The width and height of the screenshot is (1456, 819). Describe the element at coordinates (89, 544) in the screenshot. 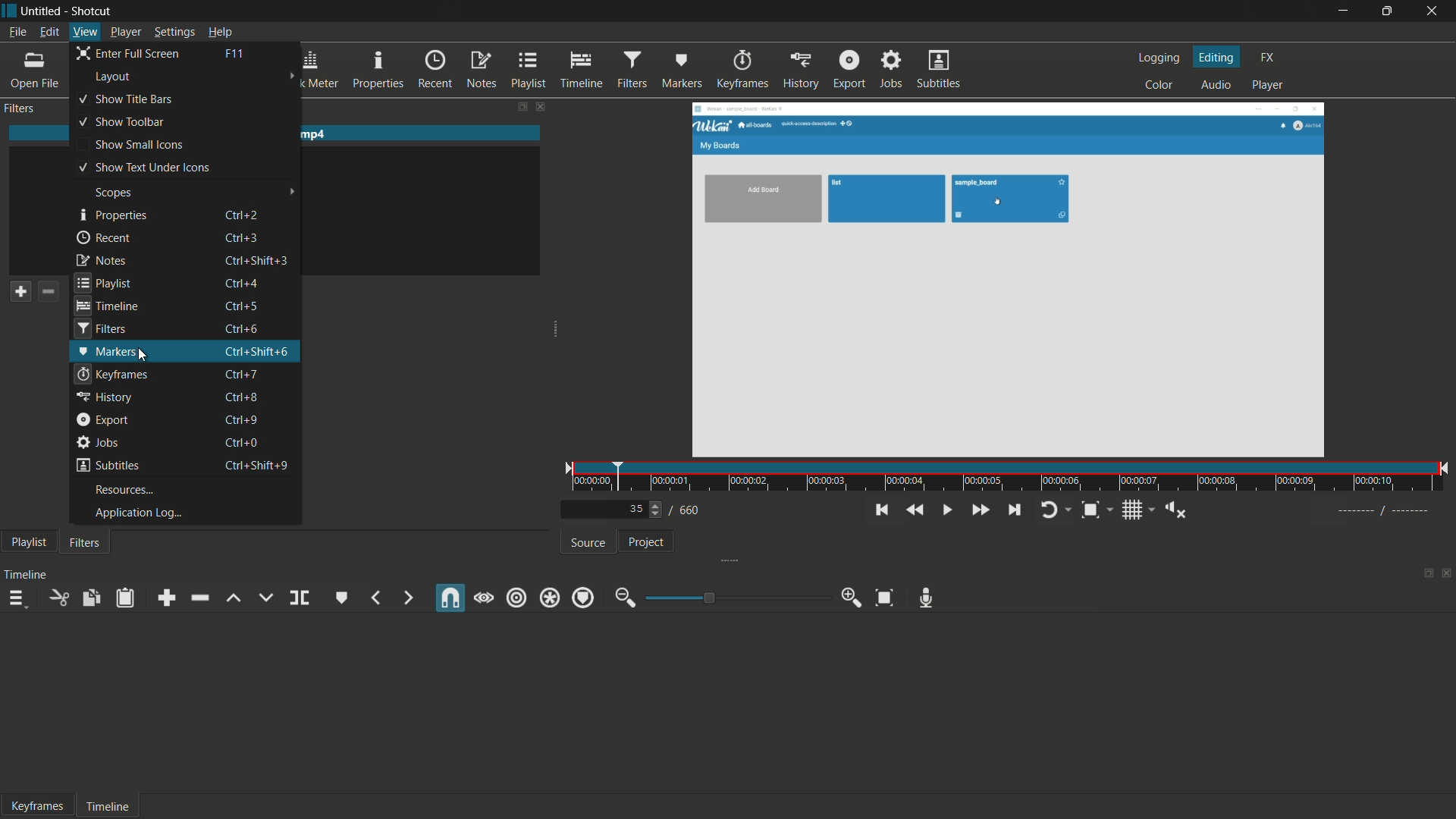

I see `filters` at that location.